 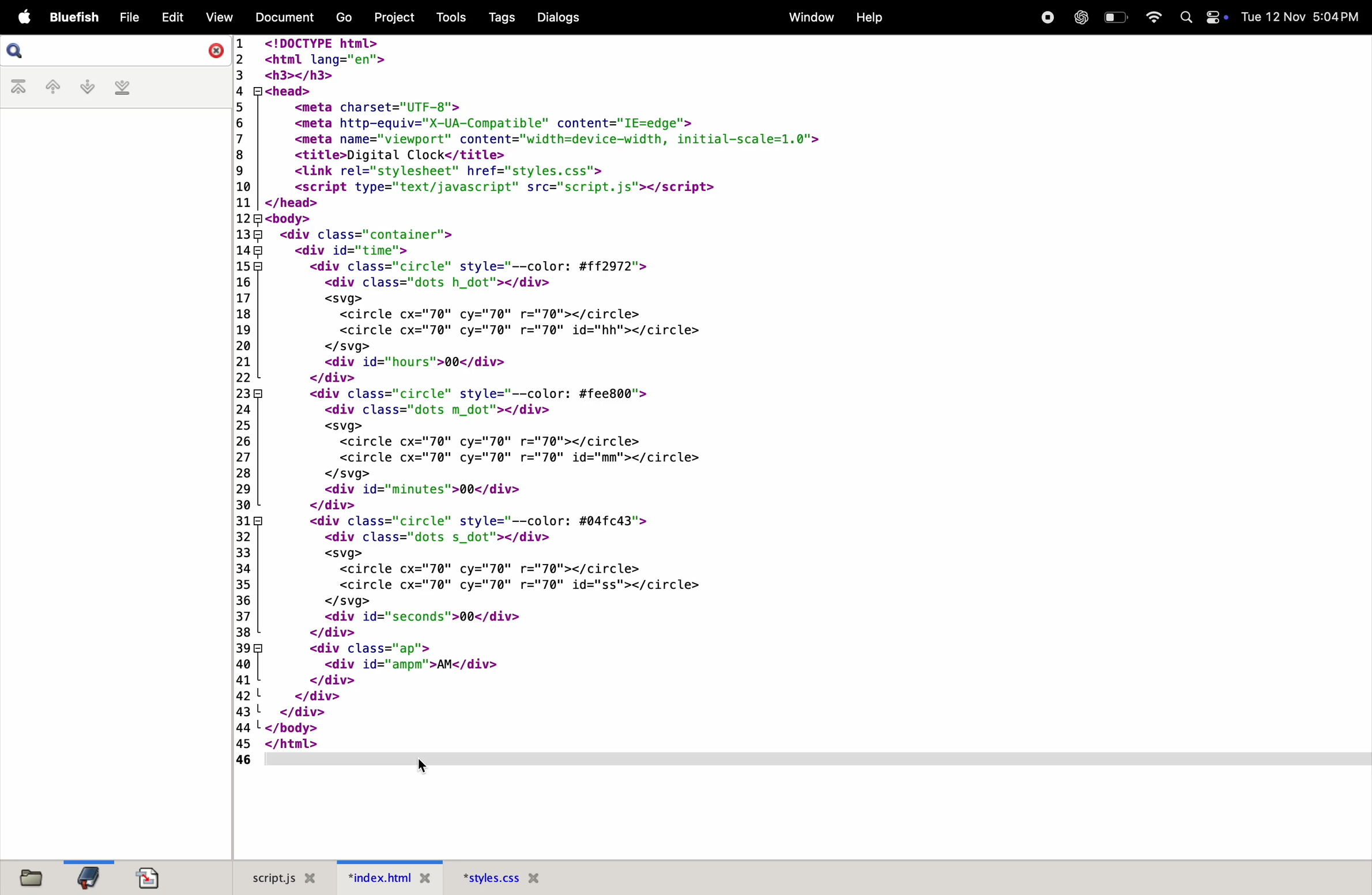 What do you see at coordinates (122, 87) in the screenshot?
I see `last bookmark` at bounding box center [122, 87].